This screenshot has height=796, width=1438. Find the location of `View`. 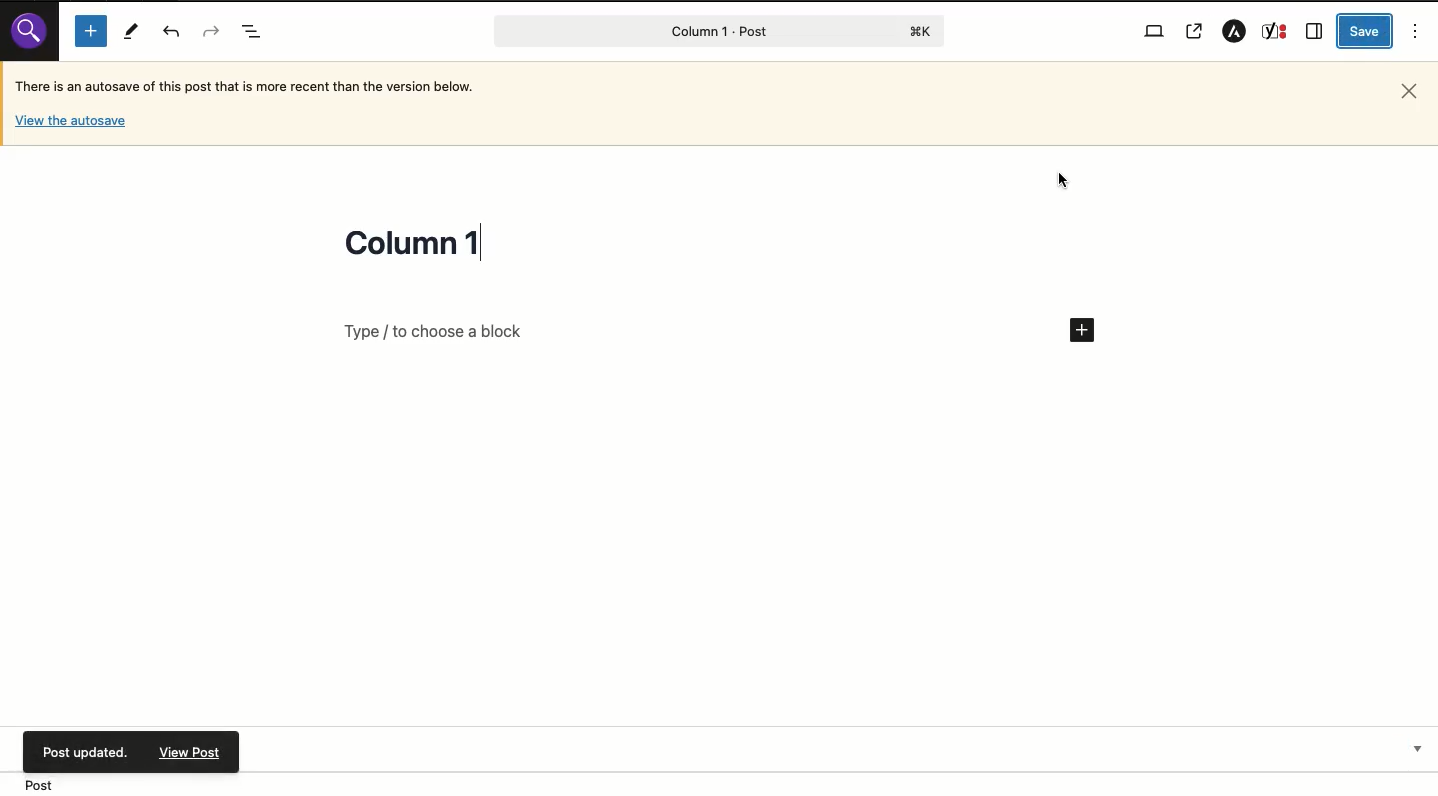

View is located at coordinates (1155, 29).